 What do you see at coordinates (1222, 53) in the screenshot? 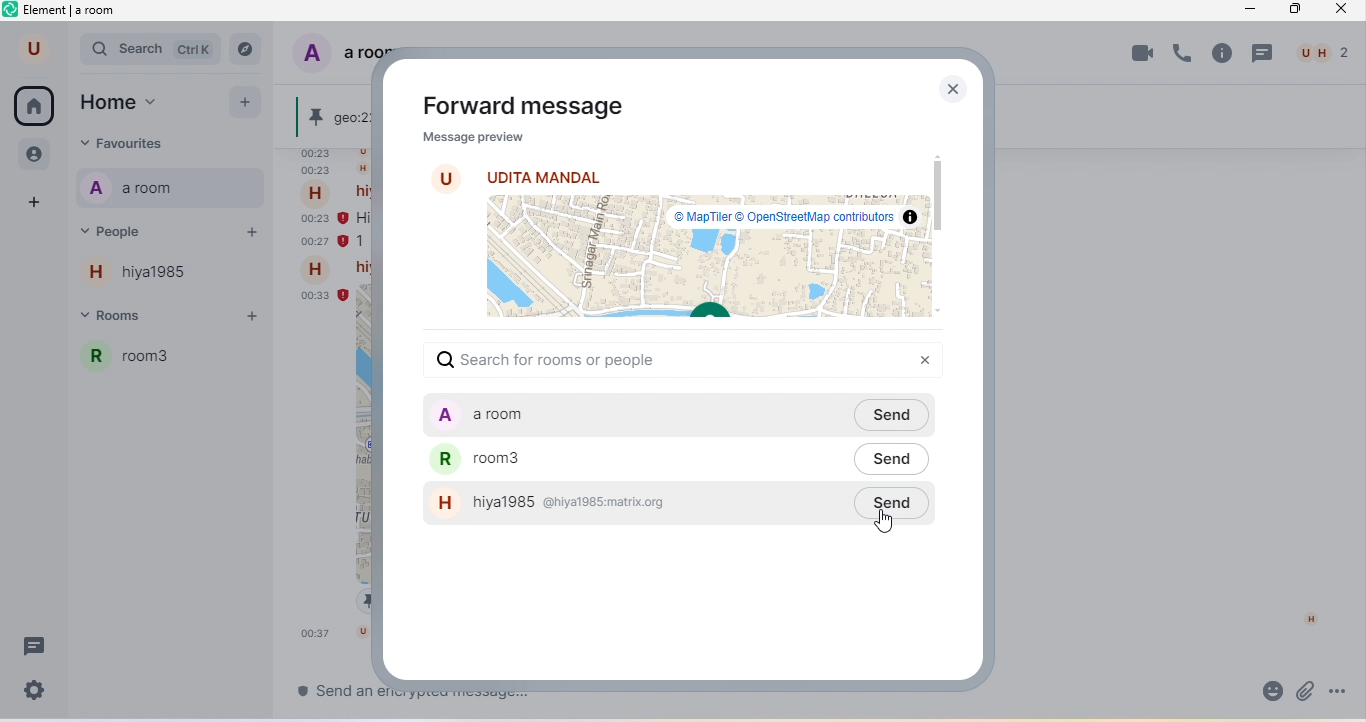
I see `room info` at bounding box center [1222, 53].